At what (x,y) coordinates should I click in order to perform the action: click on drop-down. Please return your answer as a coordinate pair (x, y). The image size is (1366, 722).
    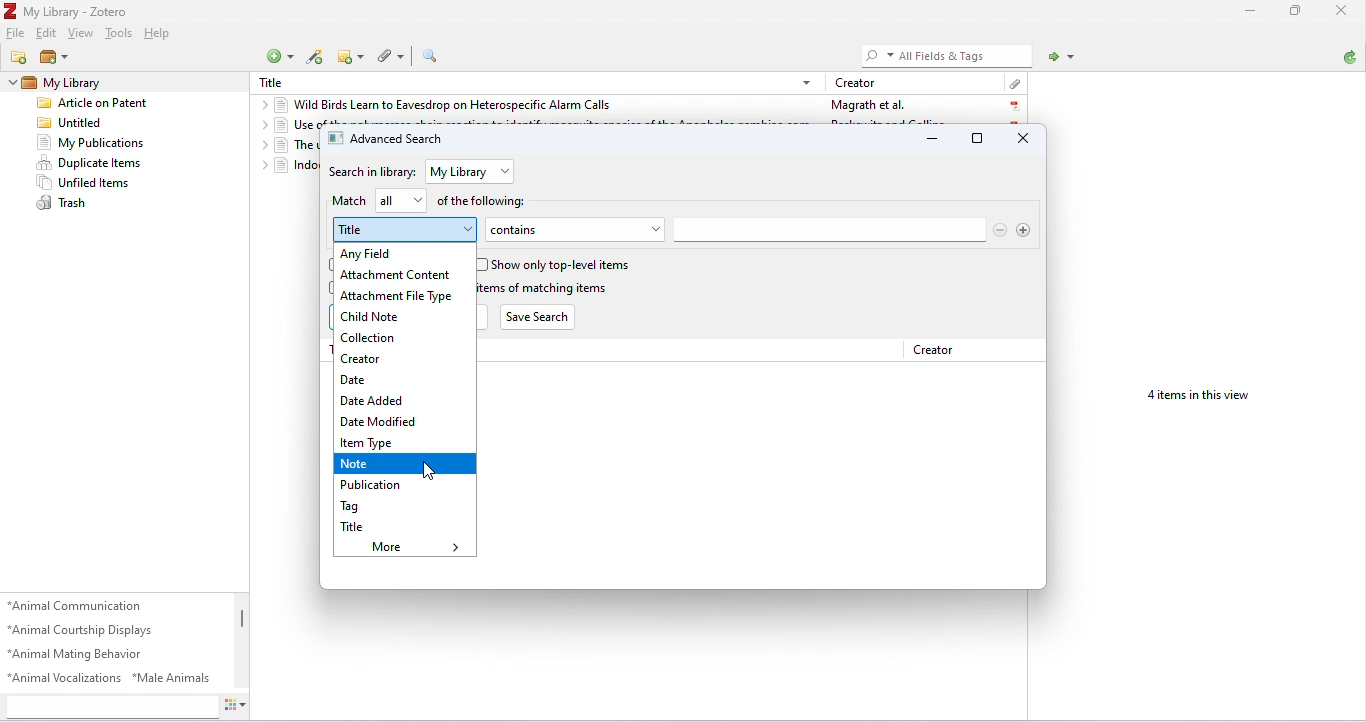
    Looking at the image, I should click on (259, 165).